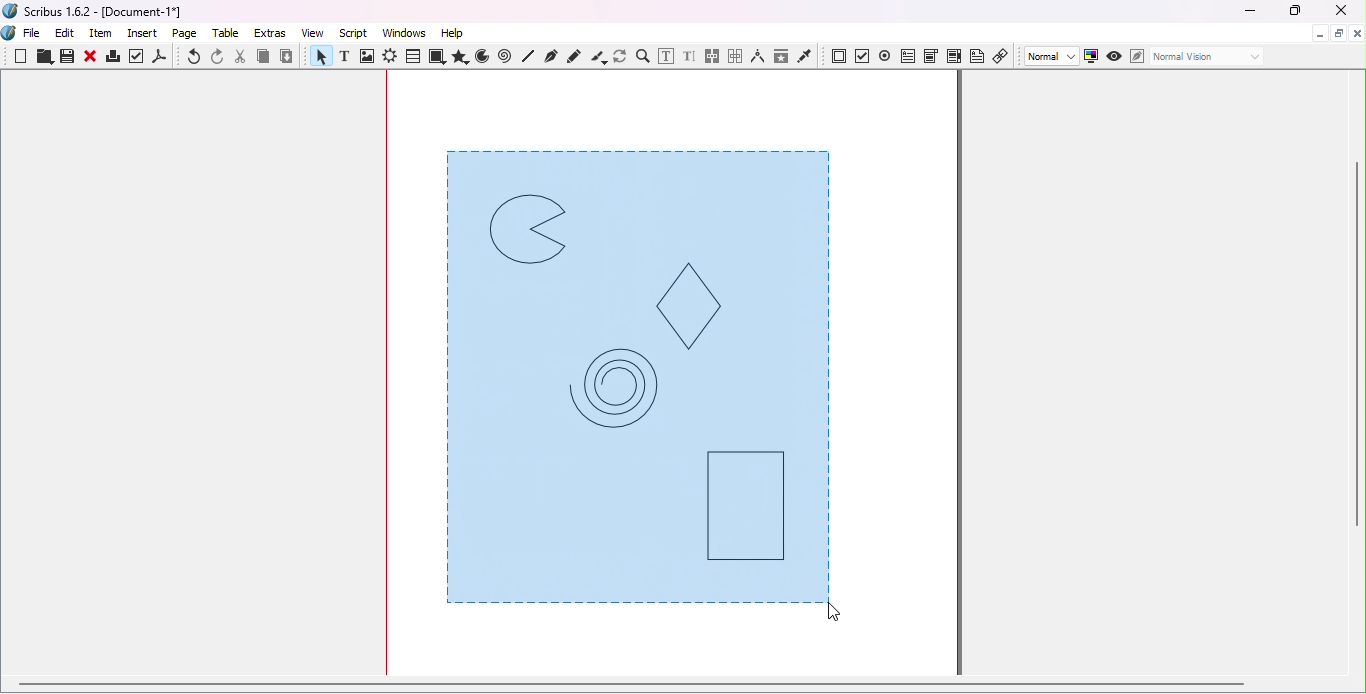 This screenshot has width=1366, height=694. What do you see at coordinates (620, 56) in the screenshot?
I see `Rotate item` at bounding box center [620, 56].